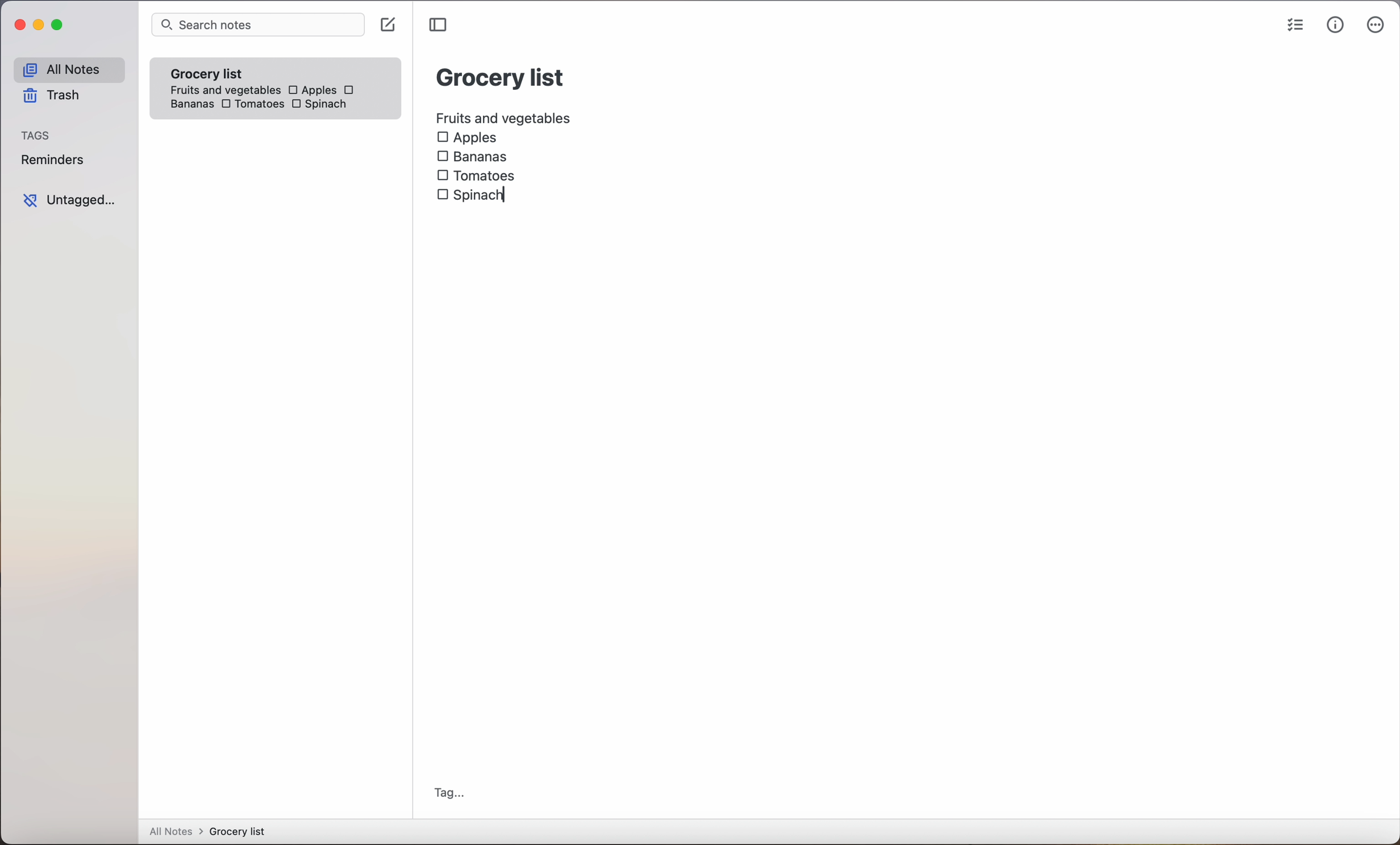  What do you see at coordinates (68, 70) in the screenshot?
I see `all notes` at bounding box center [68, 70].